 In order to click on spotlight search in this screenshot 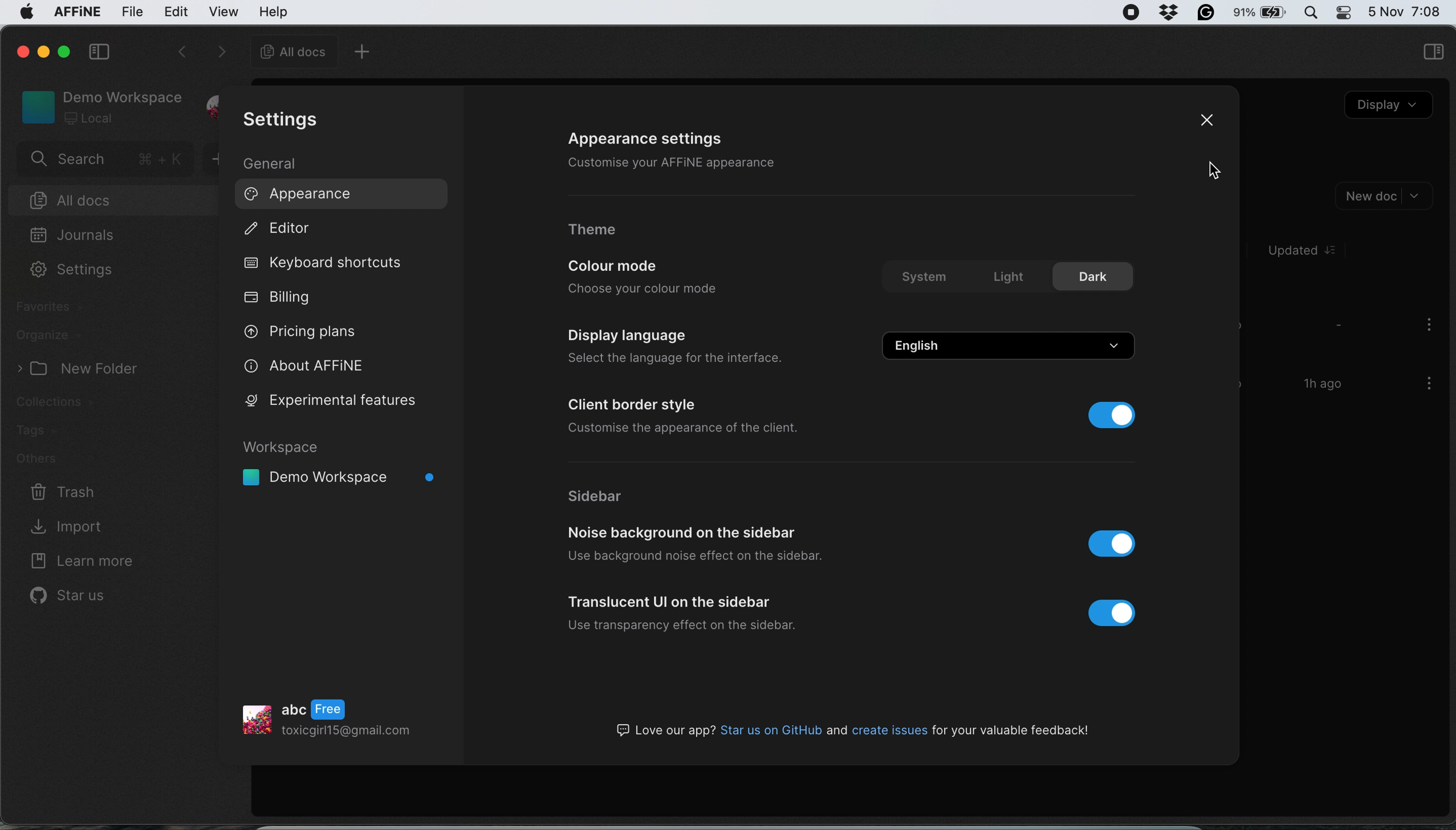, I will do `click(1313, 13)`.